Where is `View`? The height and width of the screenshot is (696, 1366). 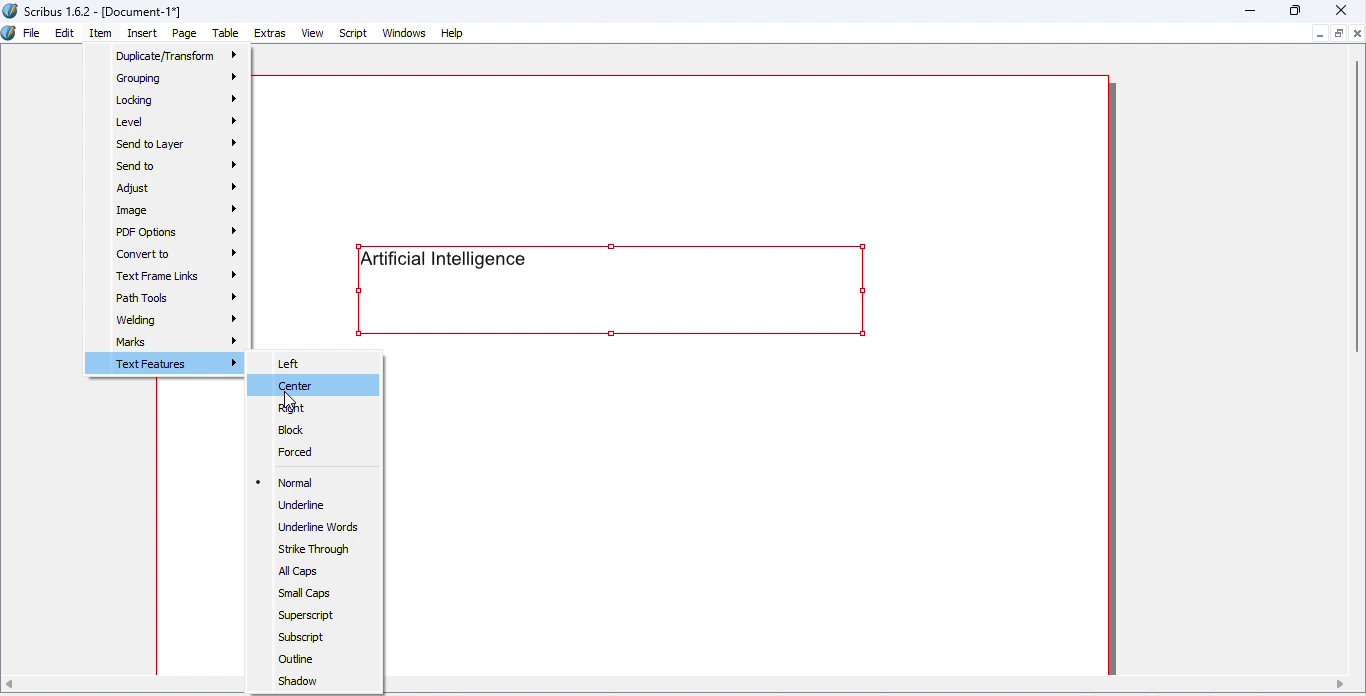
View is located at coordinates (315, 33).